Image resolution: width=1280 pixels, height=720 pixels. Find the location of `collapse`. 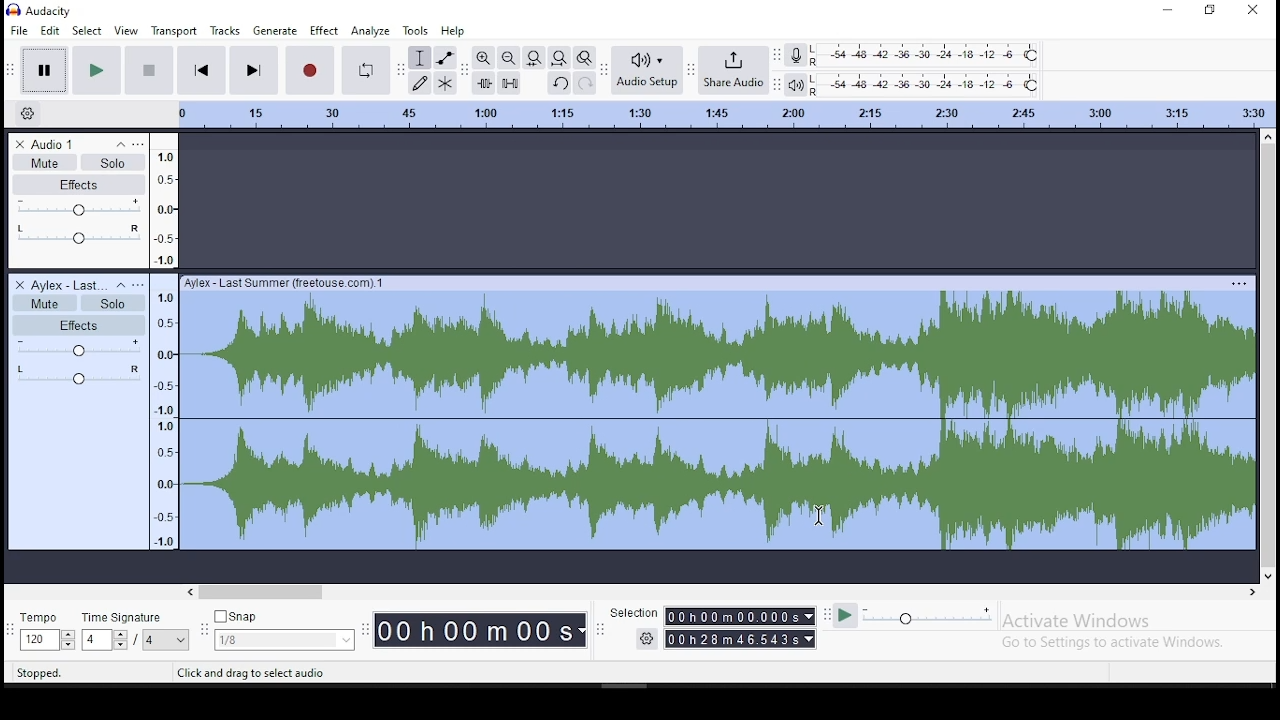

collapse is located at coordinates (120, 144).